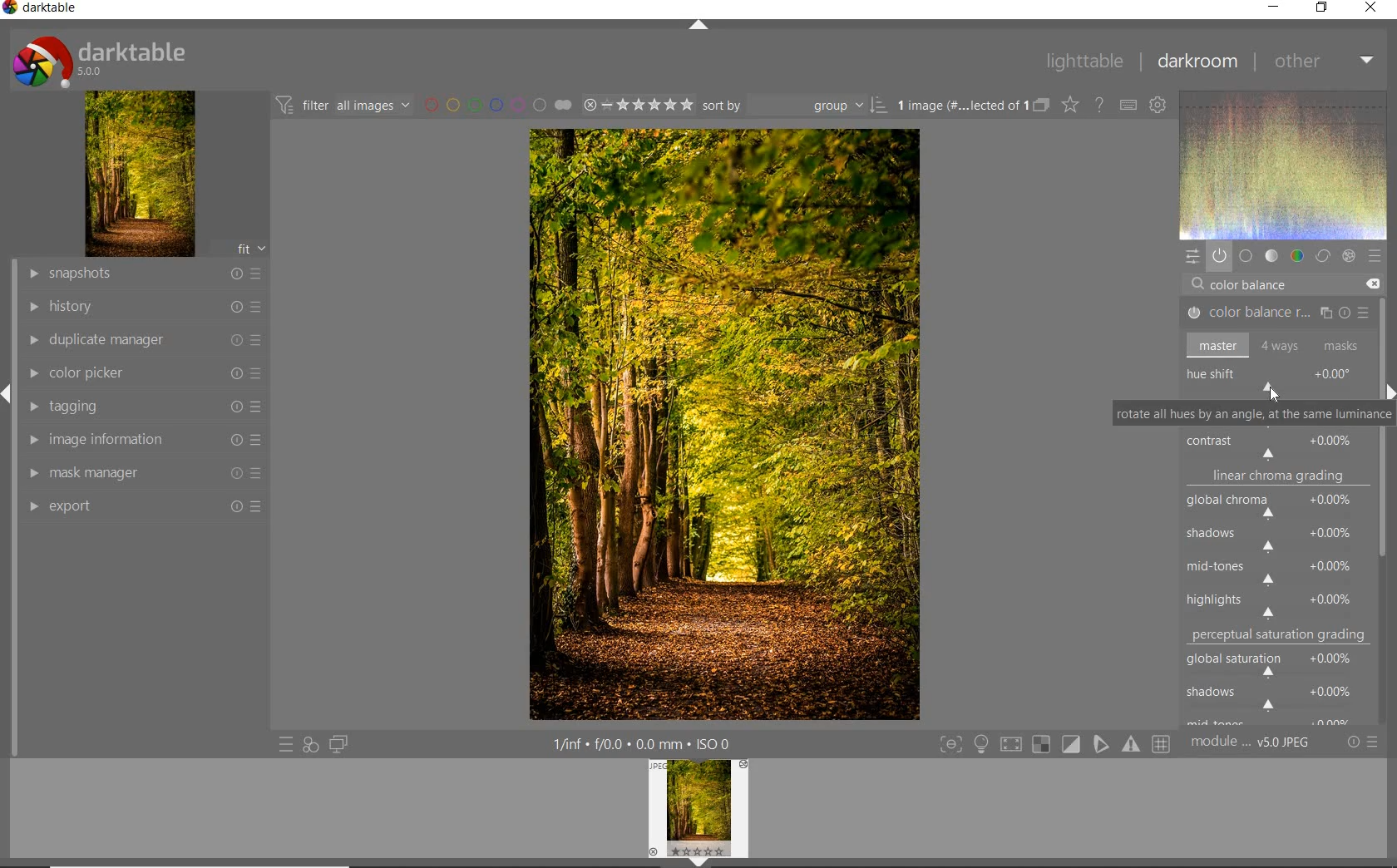 The image size is (1397, 868). What do you see at coordinates (1278, 662) in the screenshot?
I see `global saturation` at bounding box center [1278, 662].